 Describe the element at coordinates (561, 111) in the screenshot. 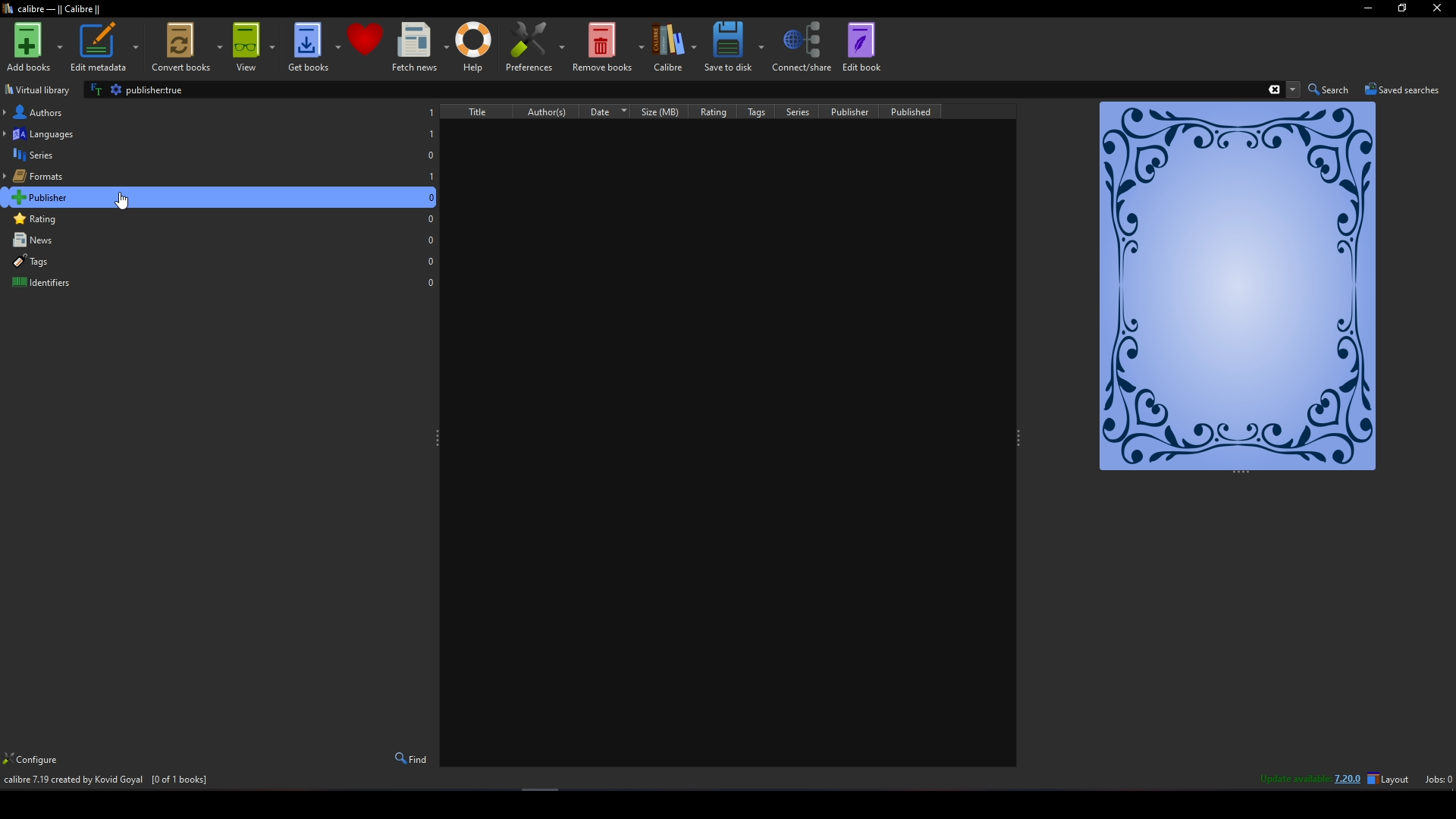

I see `Authors` at that location.